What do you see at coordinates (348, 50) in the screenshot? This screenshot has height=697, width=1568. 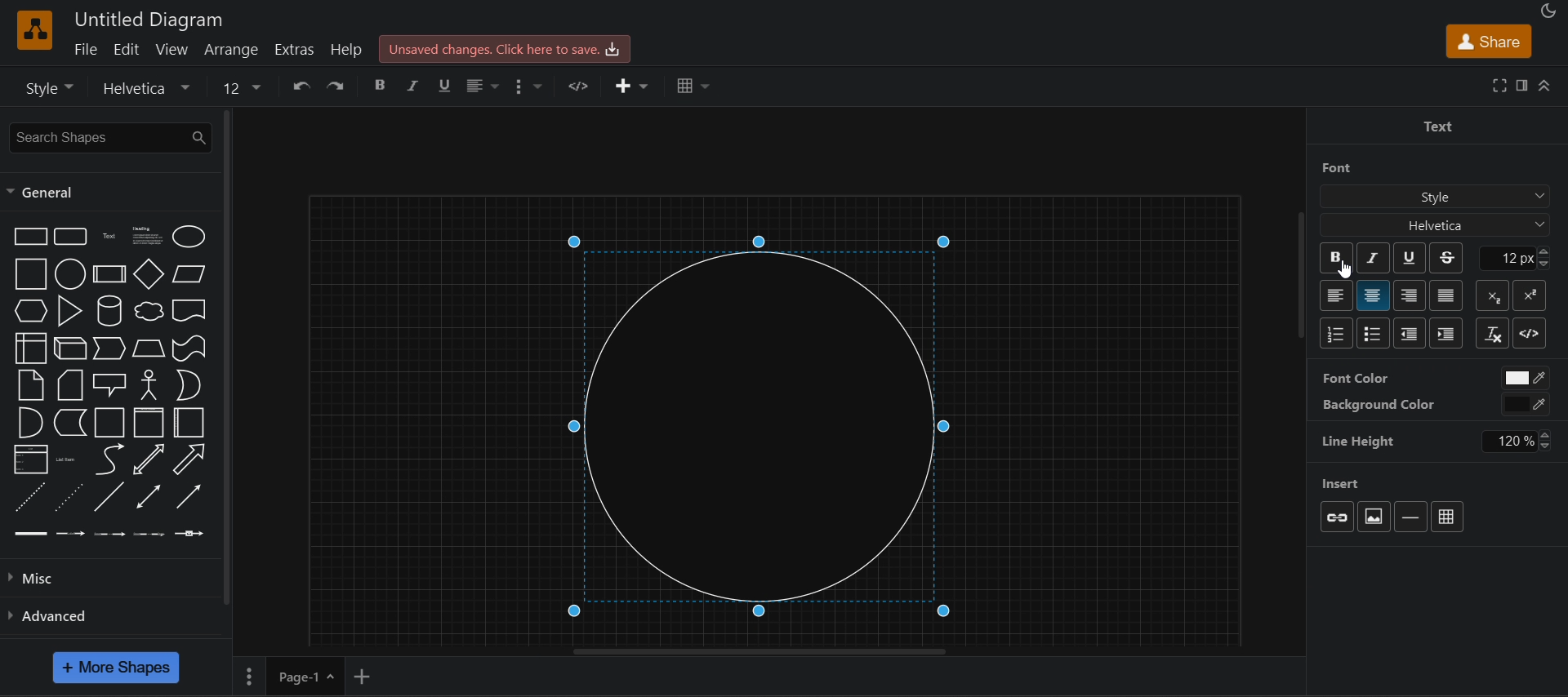 I see `help` at bounding box center [348, 50].